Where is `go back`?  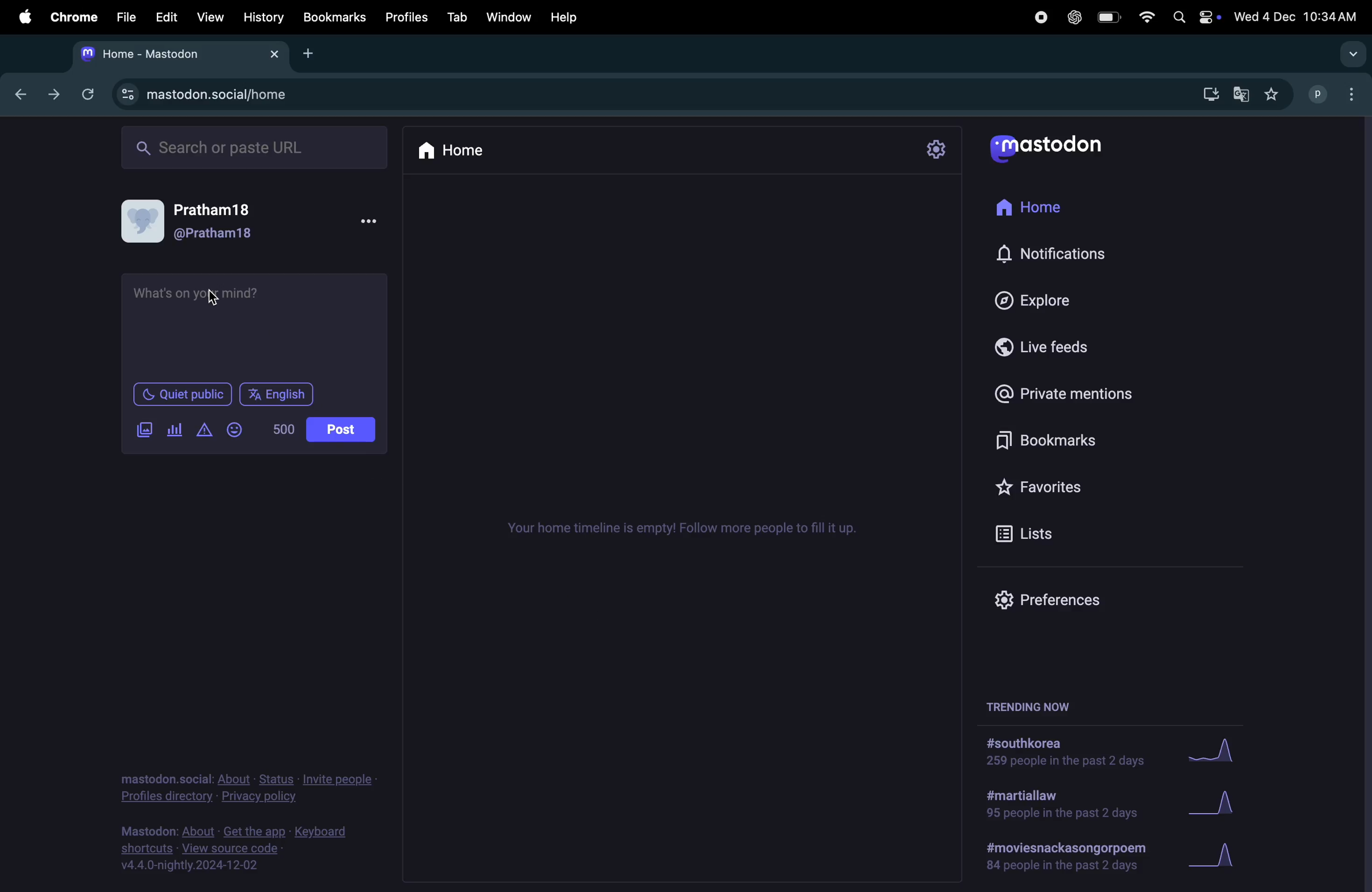 go back is located at coordinates (17, 92).